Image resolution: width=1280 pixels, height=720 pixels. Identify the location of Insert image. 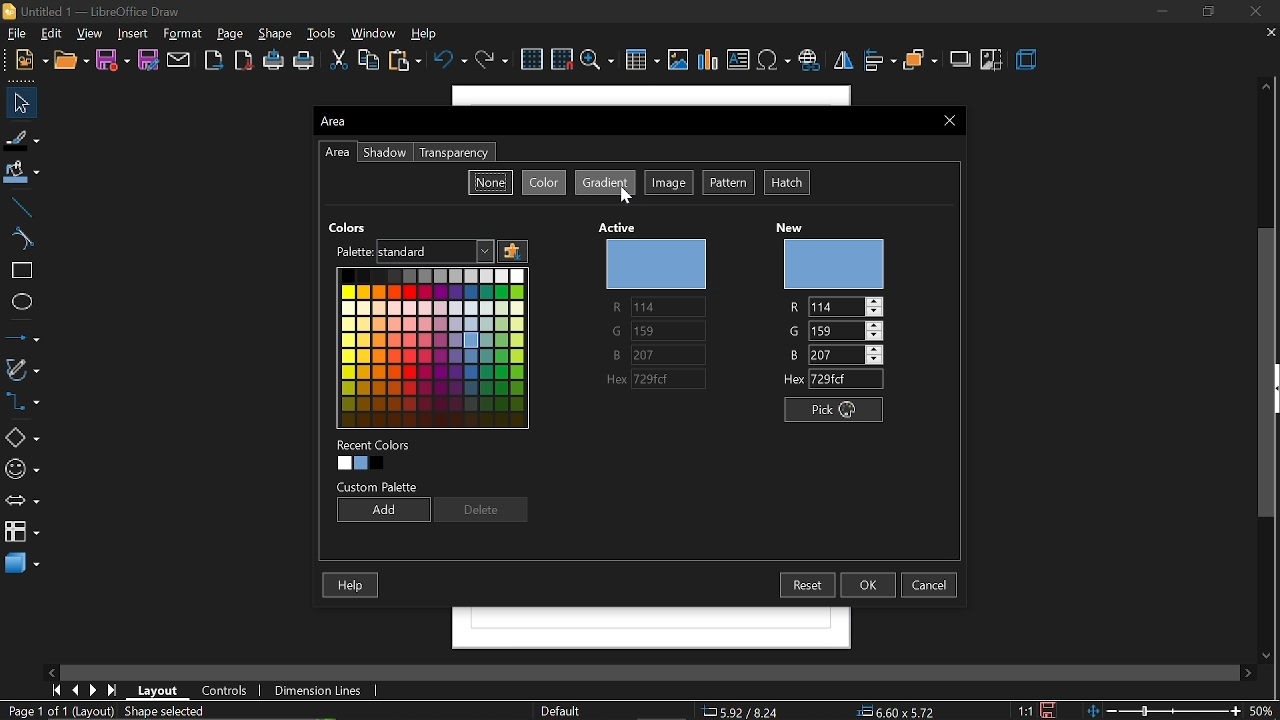
(678, 60).